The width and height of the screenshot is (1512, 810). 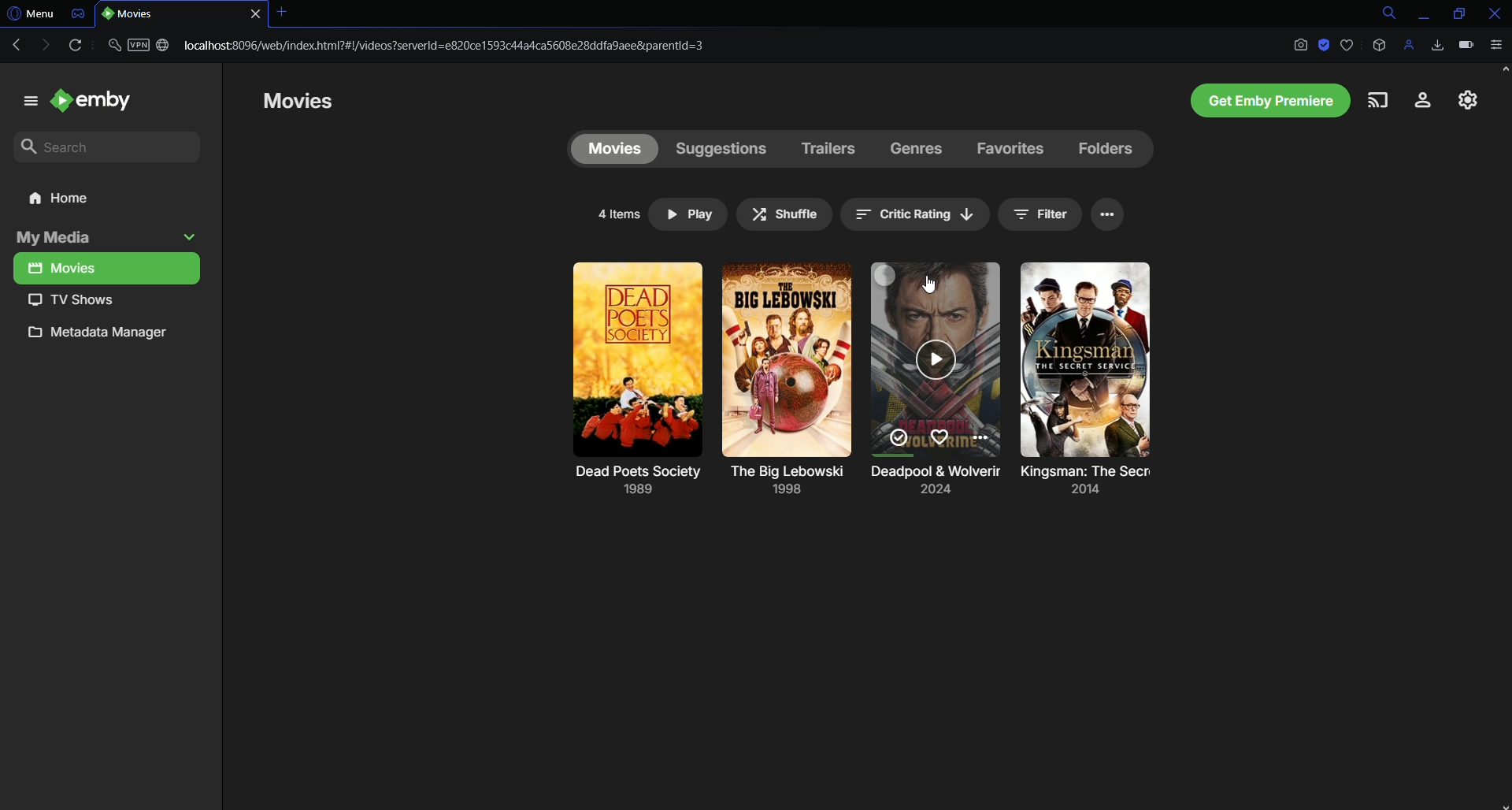 I want to click on movie poster, so click(x=1087, y=359).